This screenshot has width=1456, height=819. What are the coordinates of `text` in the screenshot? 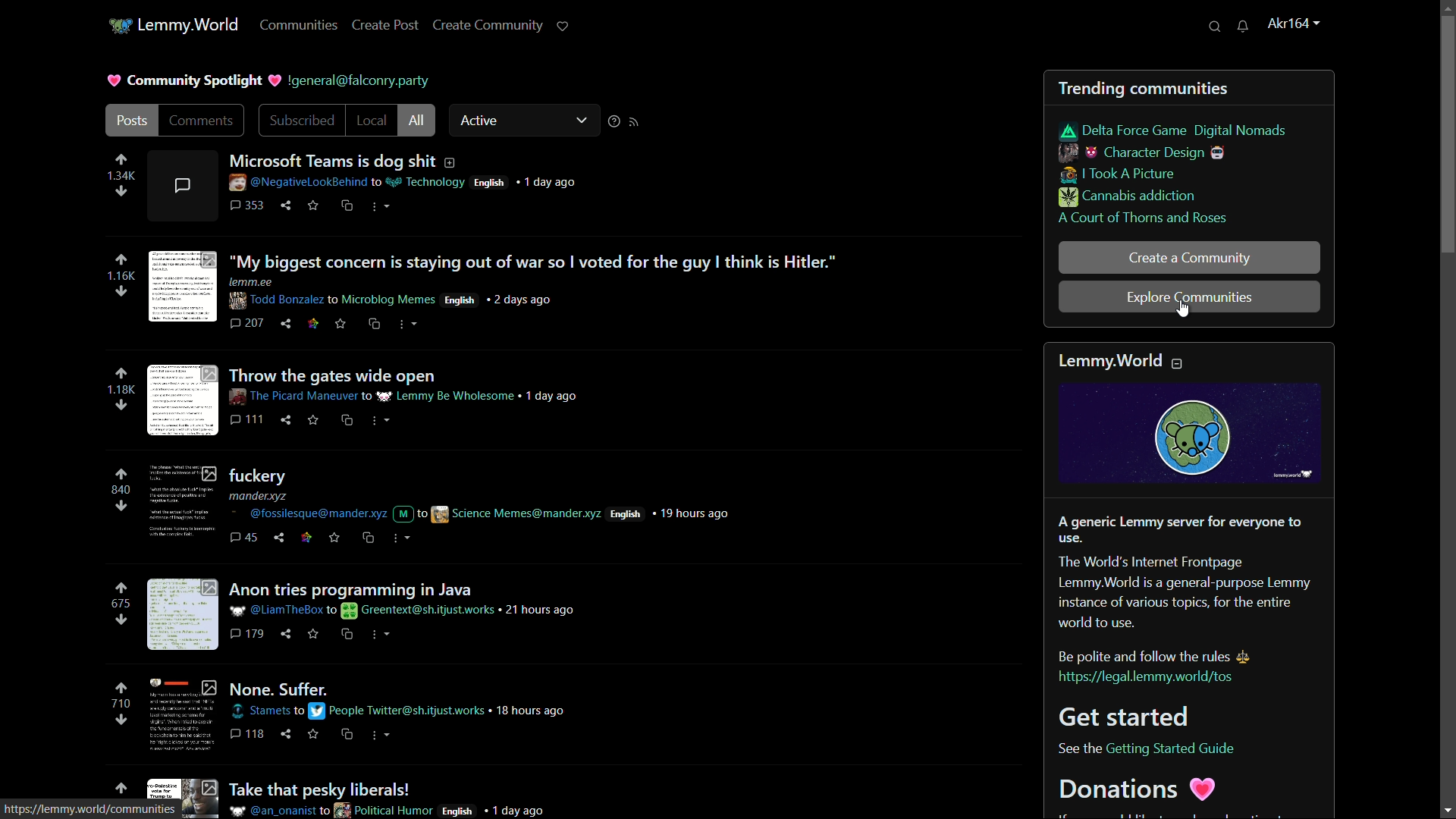 It's located at (1150, 716).